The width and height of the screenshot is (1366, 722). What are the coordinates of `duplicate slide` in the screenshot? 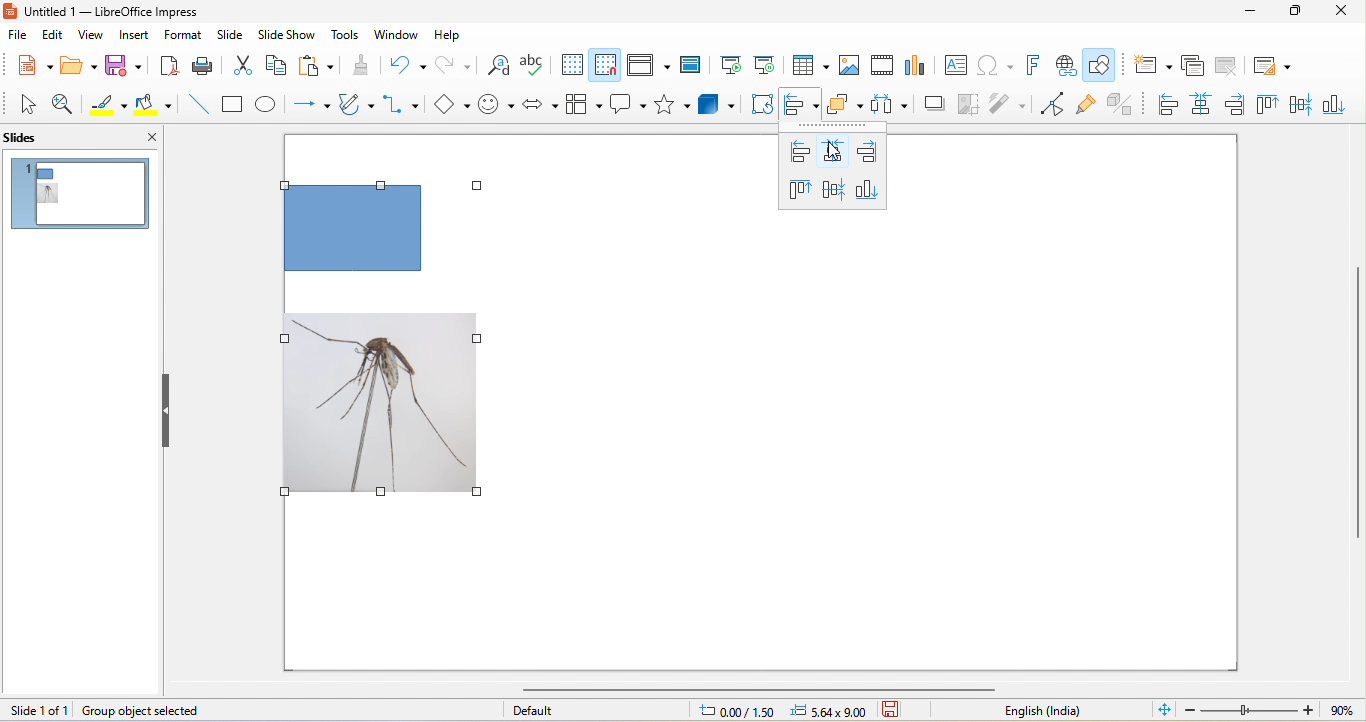 It's located at (1186, 66).